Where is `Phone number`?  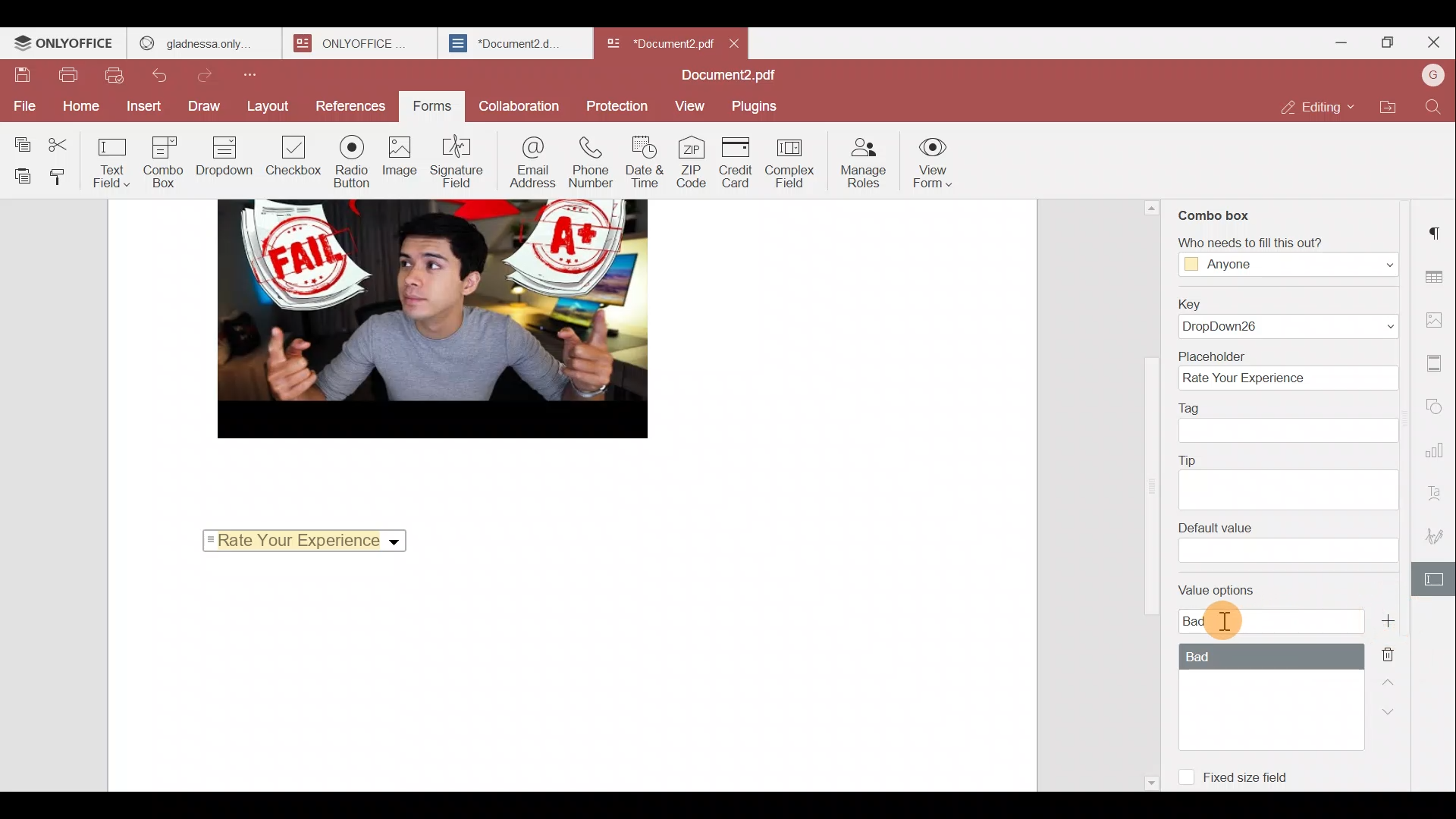 Phone number is located at coordinates (591, 164).